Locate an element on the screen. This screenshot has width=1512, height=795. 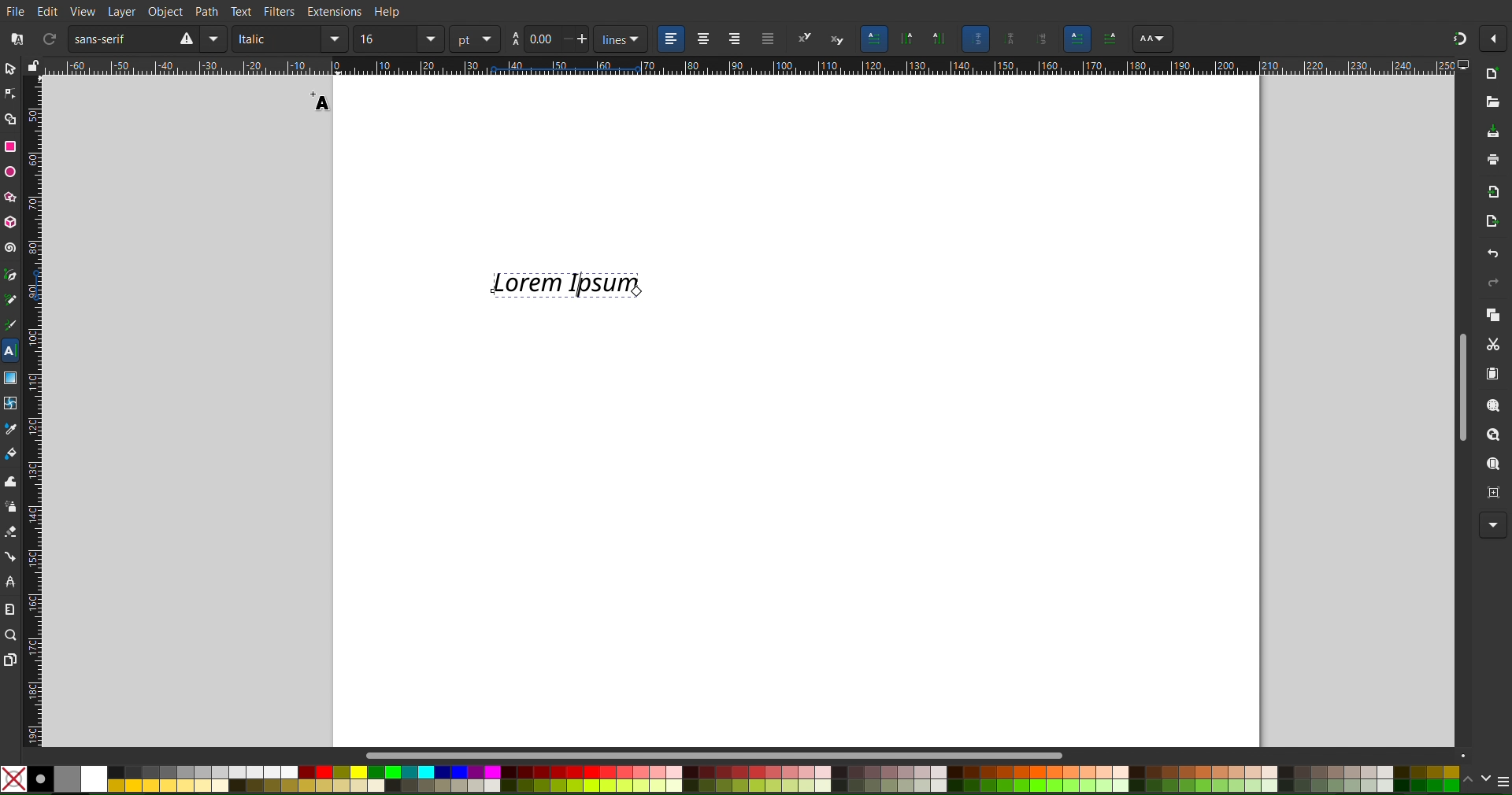
Path is located at coordinates (209, 11).